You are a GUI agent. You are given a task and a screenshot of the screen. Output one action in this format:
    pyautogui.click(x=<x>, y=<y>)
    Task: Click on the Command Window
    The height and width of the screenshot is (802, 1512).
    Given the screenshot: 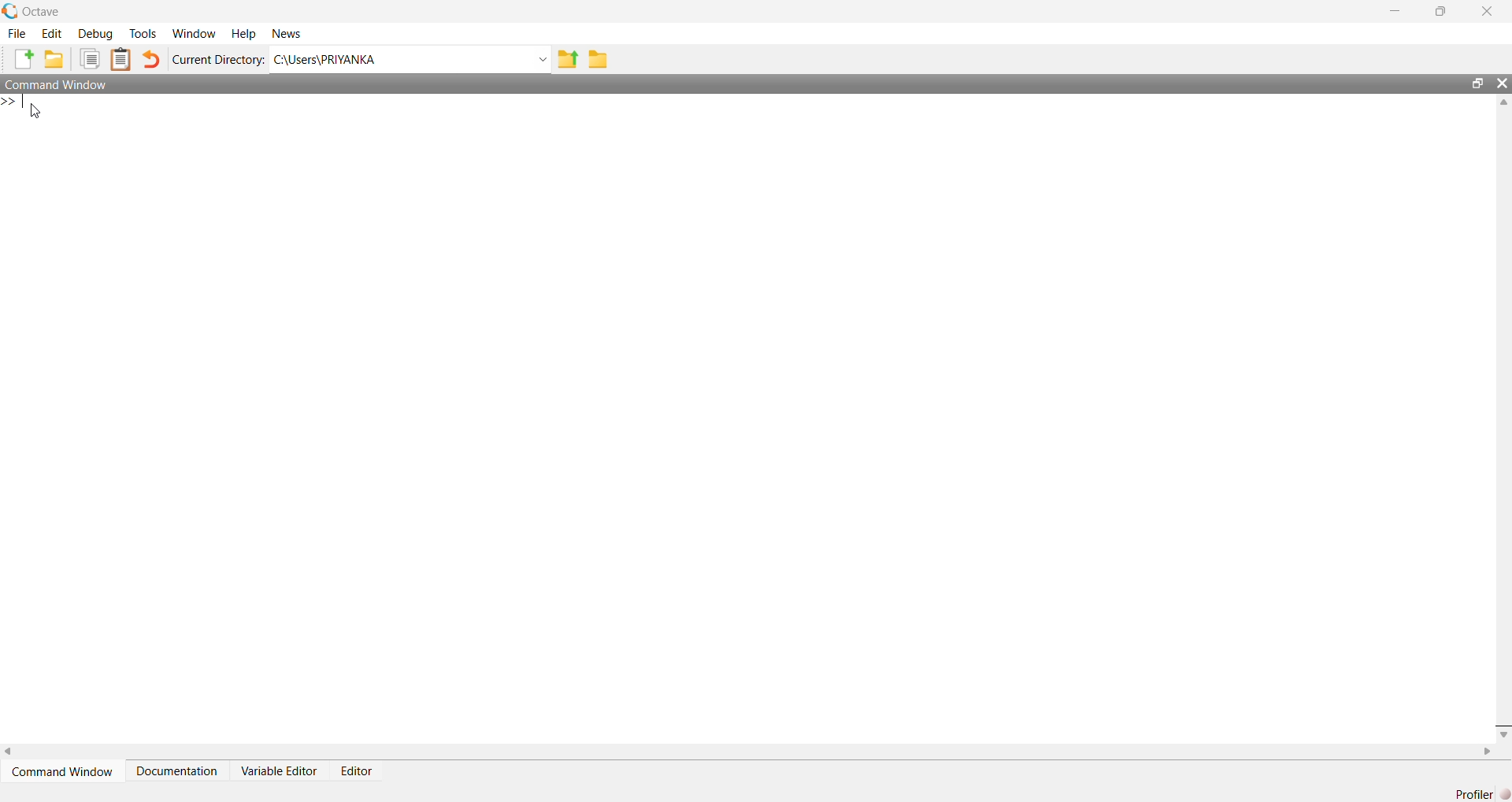 What is the action you would take?
    pyautogui.click(x=65, y=771)
    